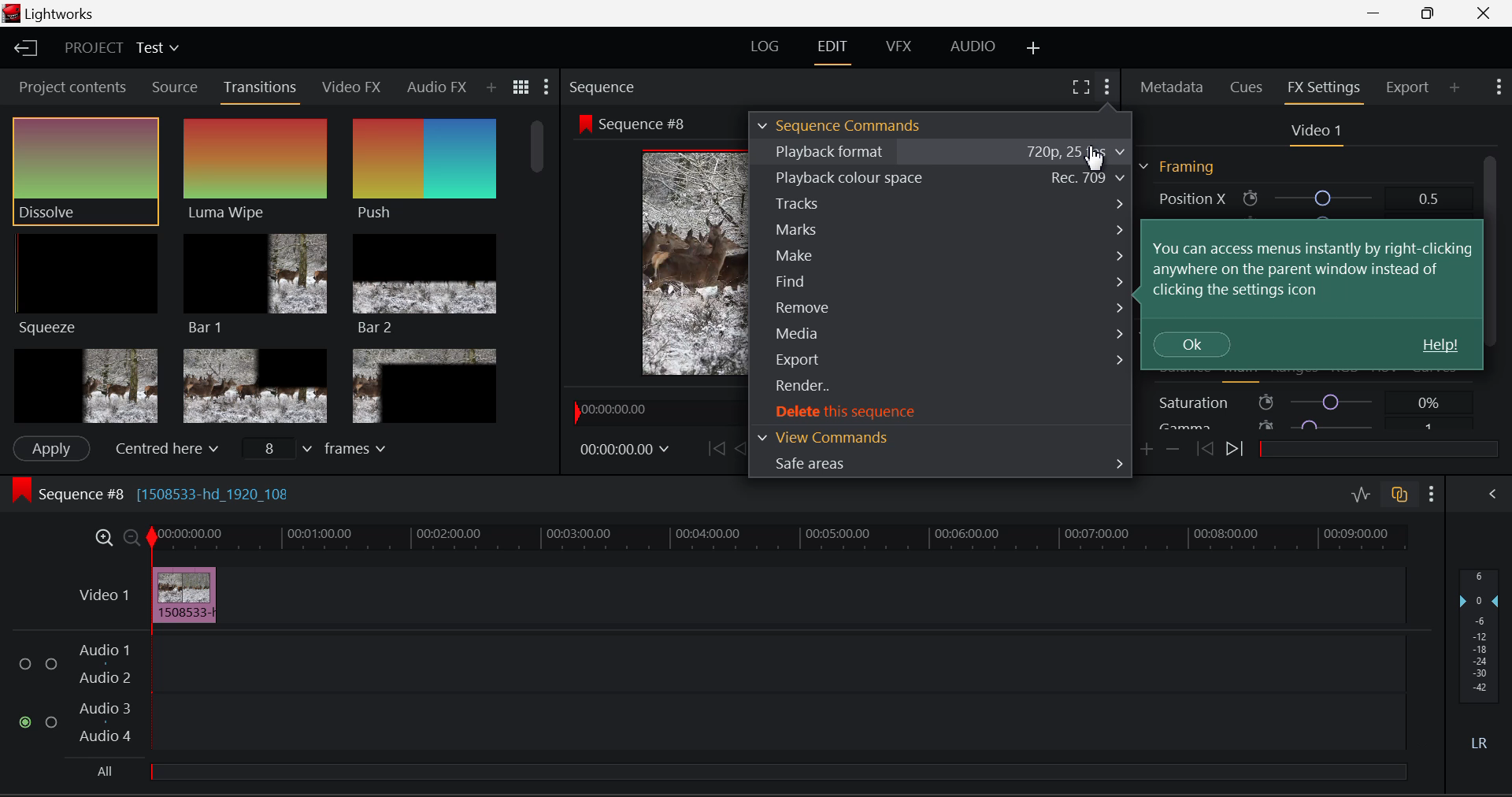 The height and width of the screenshot is (797, 1512). I want to click on Media, so click(943, 332).